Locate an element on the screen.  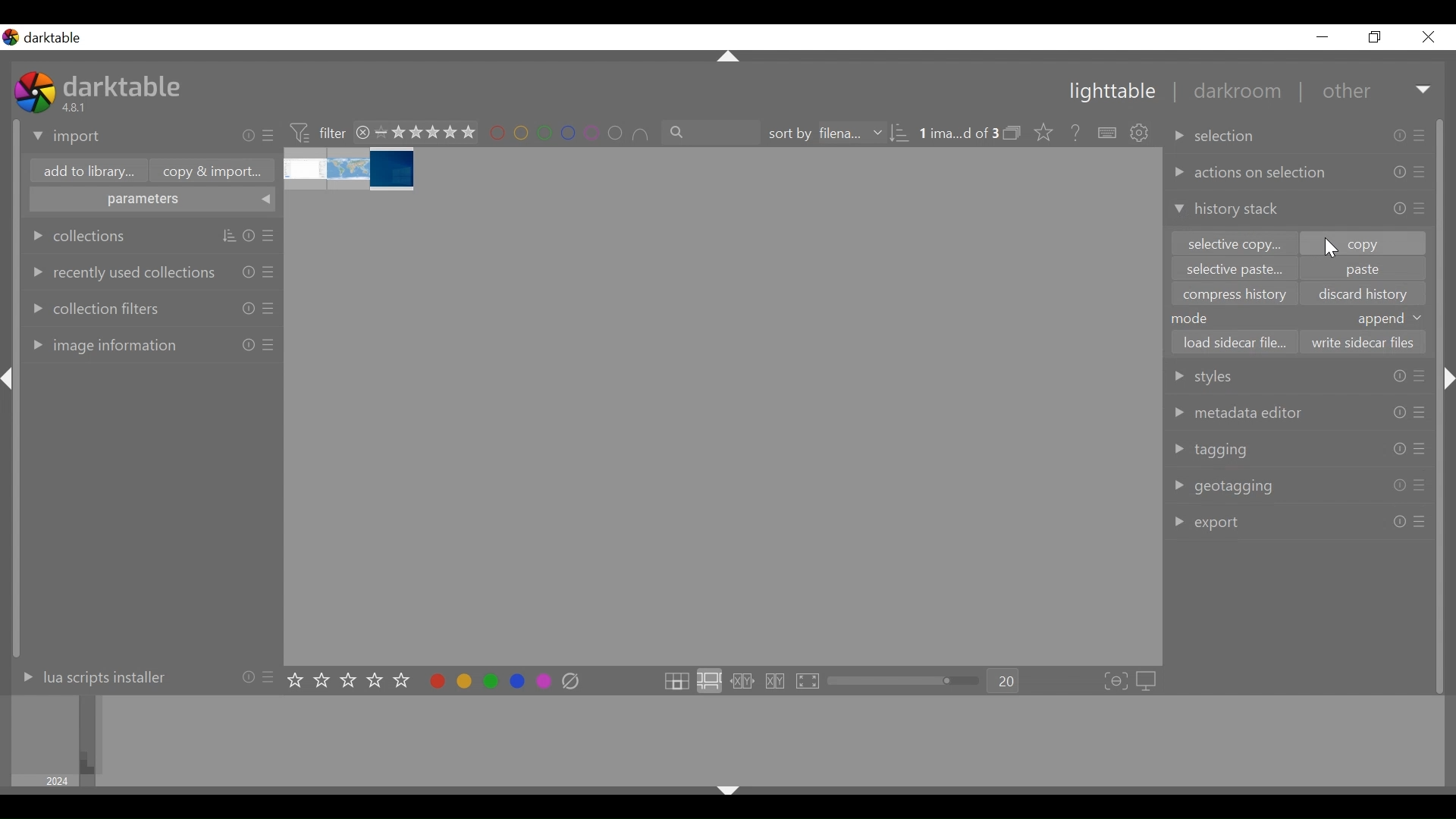
close is located at coordinates (363, 132).